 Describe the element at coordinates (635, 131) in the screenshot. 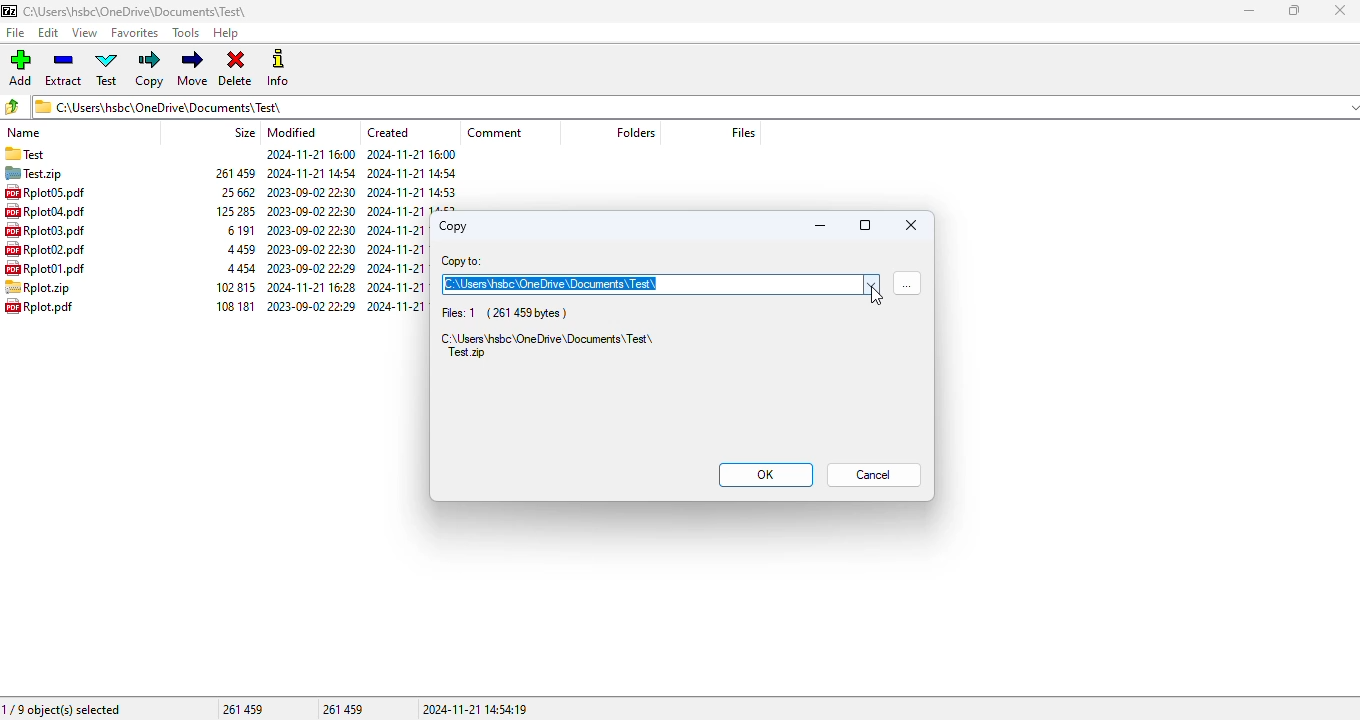

I see `folders` at that location.